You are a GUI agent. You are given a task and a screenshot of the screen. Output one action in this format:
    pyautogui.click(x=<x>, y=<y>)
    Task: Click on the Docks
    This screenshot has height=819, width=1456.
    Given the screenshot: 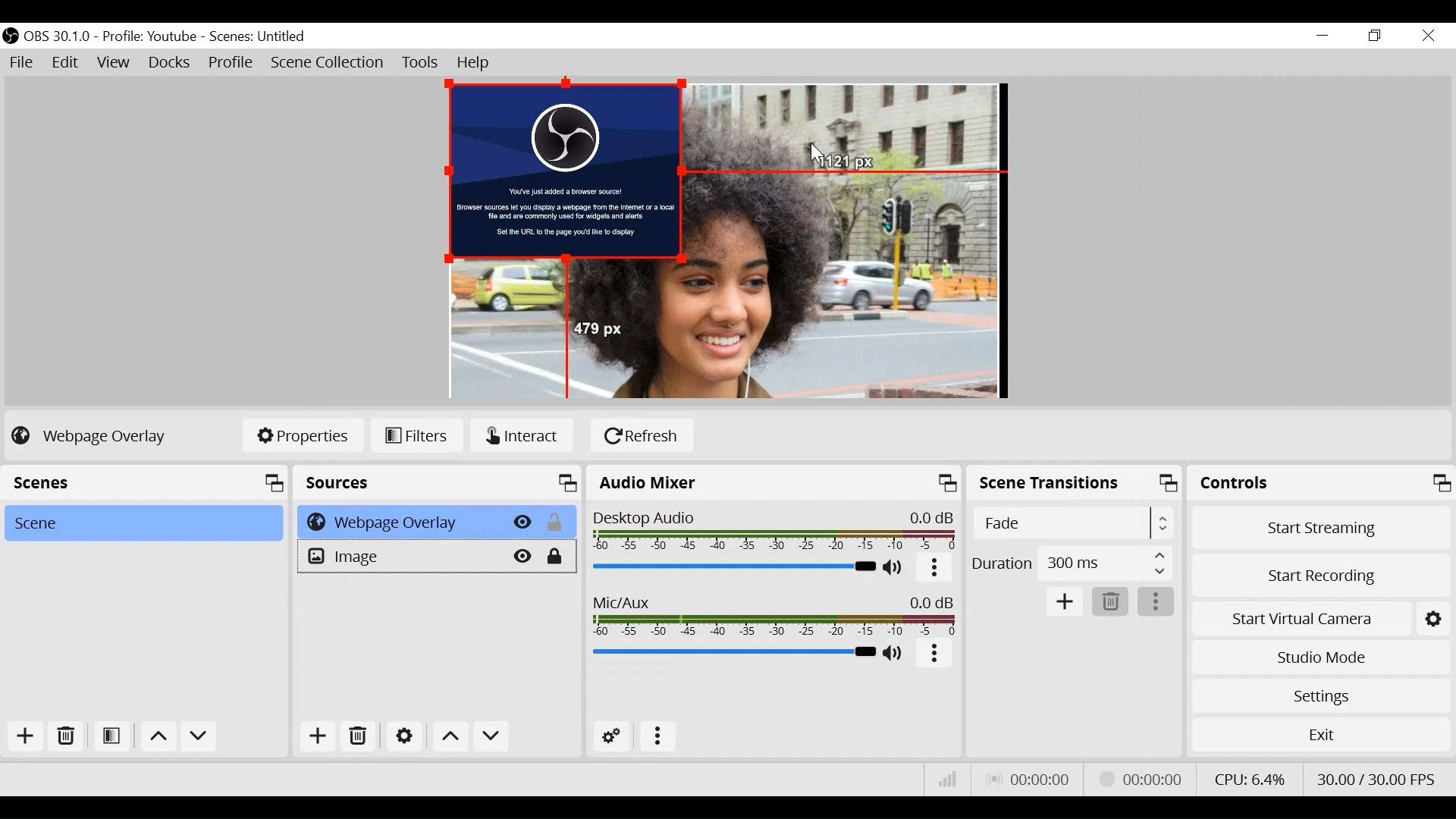 What is the action you would take?
    pyautogui.click(x=169, y=64)
    